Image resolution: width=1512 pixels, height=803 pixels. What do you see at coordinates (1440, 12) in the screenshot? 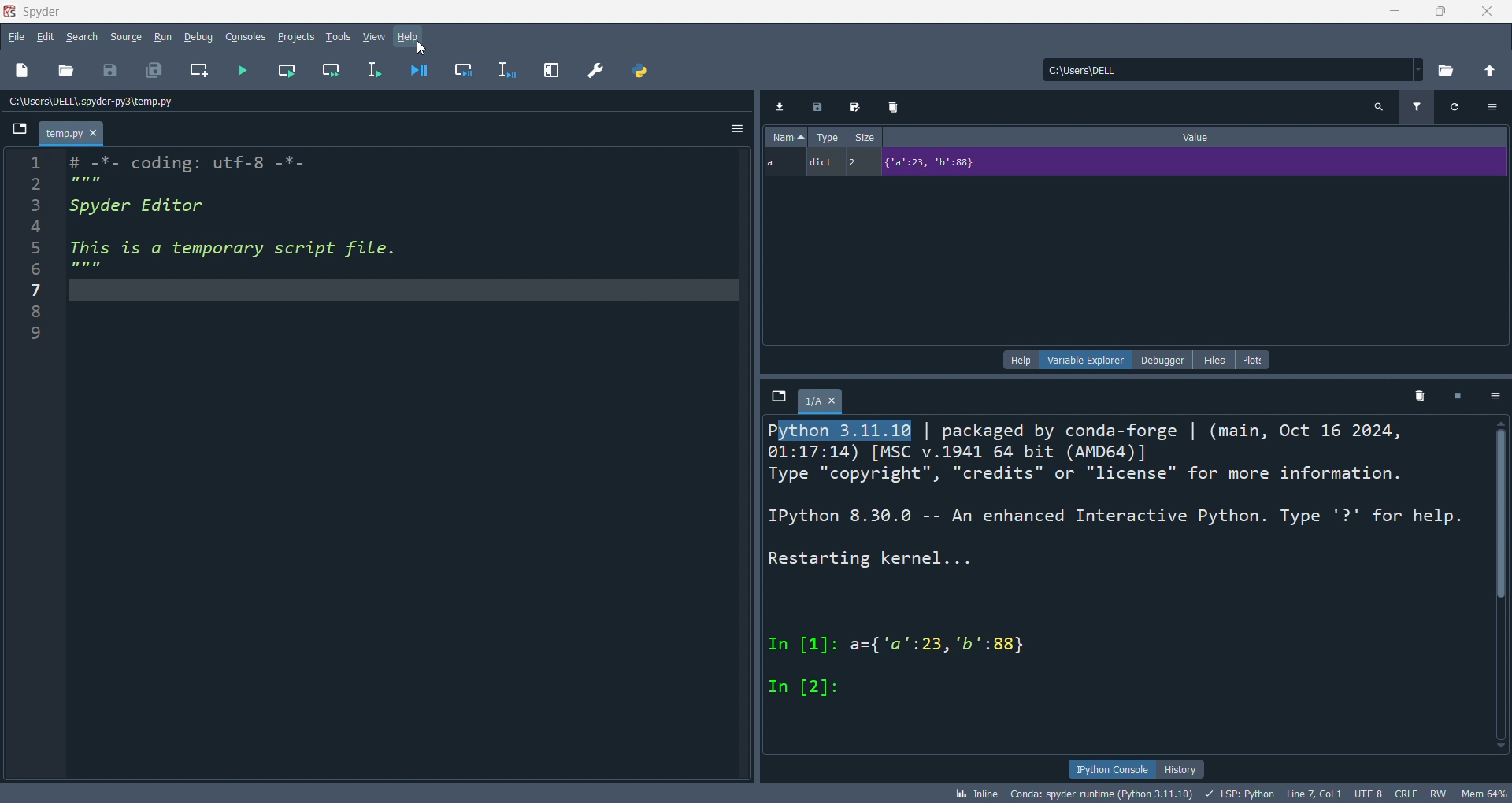
I see `maximize` at bounding box center [1440, 12].